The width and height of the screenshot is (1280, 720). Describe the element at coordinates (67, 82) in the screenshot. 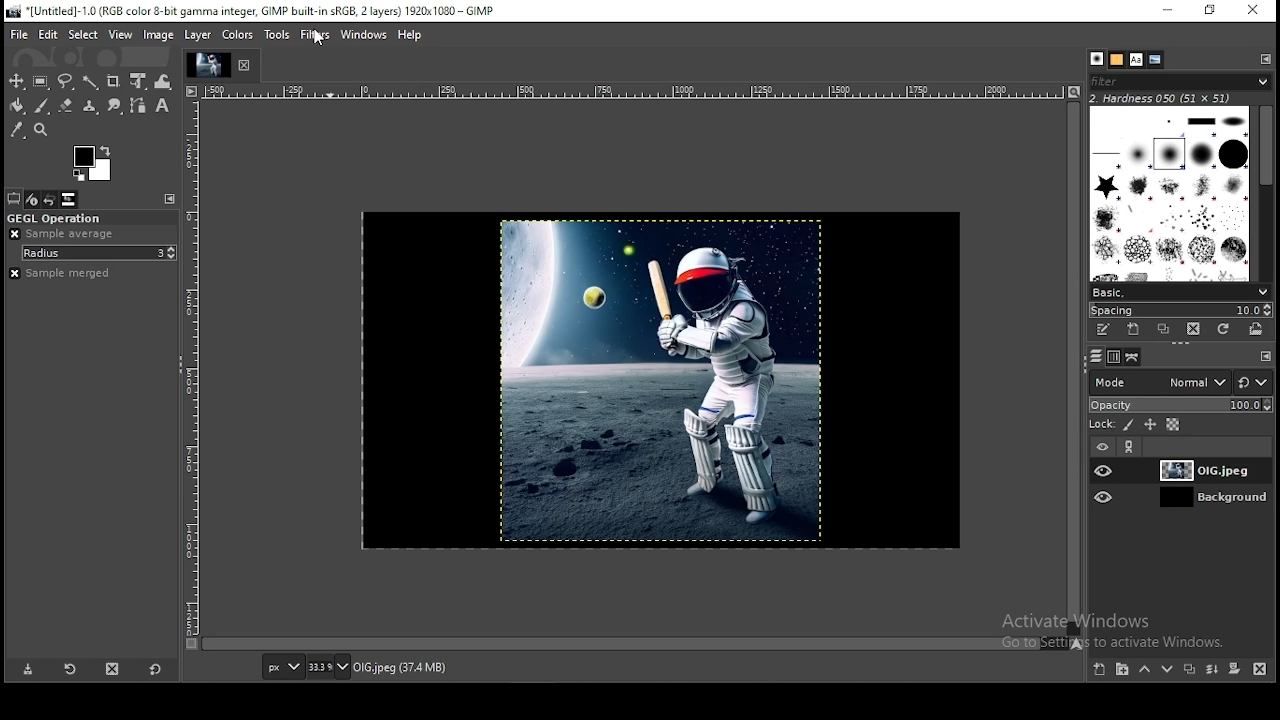

I see `free select tool` at that location.